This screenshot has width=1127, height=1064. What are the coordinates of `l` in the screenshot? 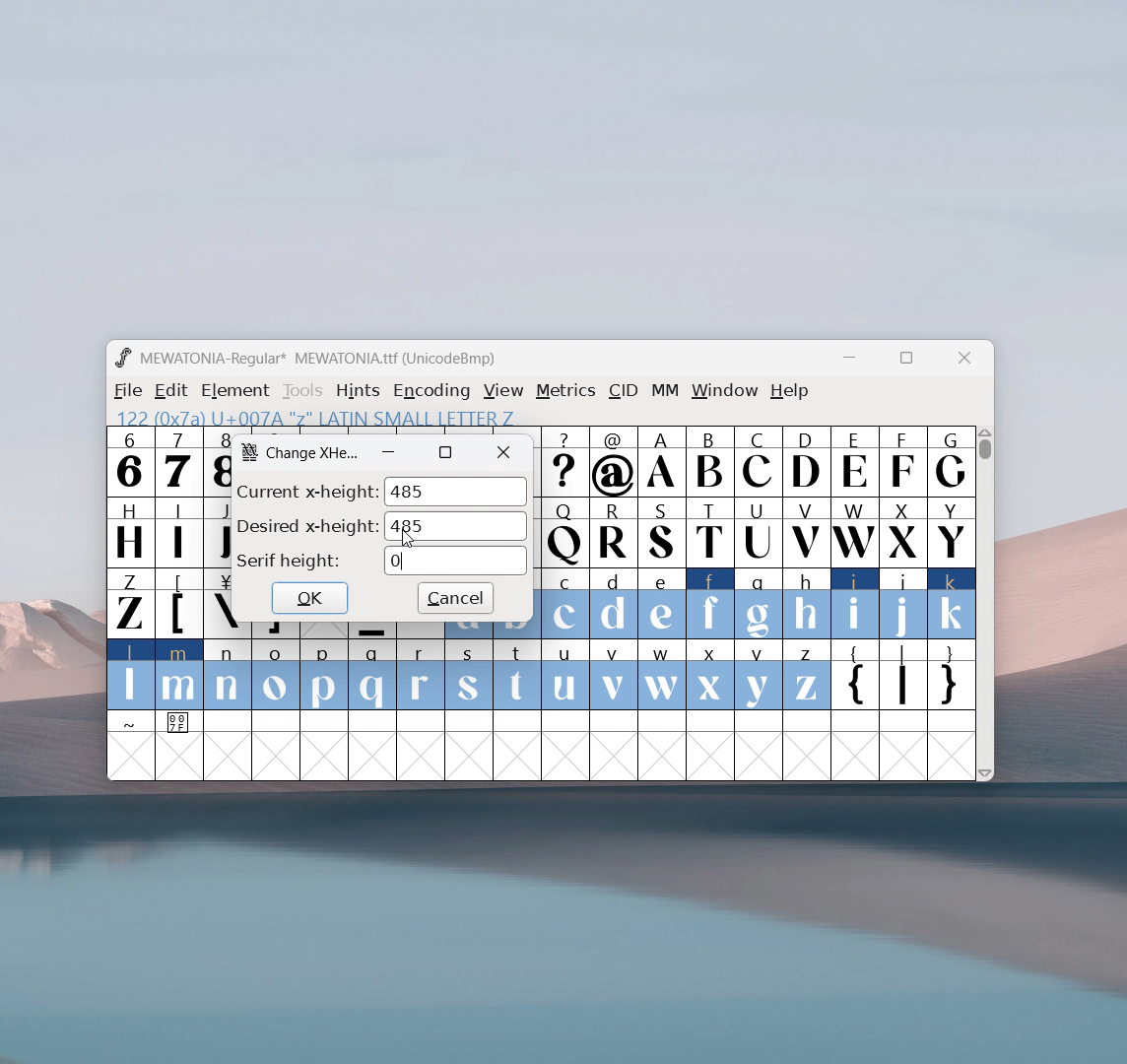 It's located at (131, 674).